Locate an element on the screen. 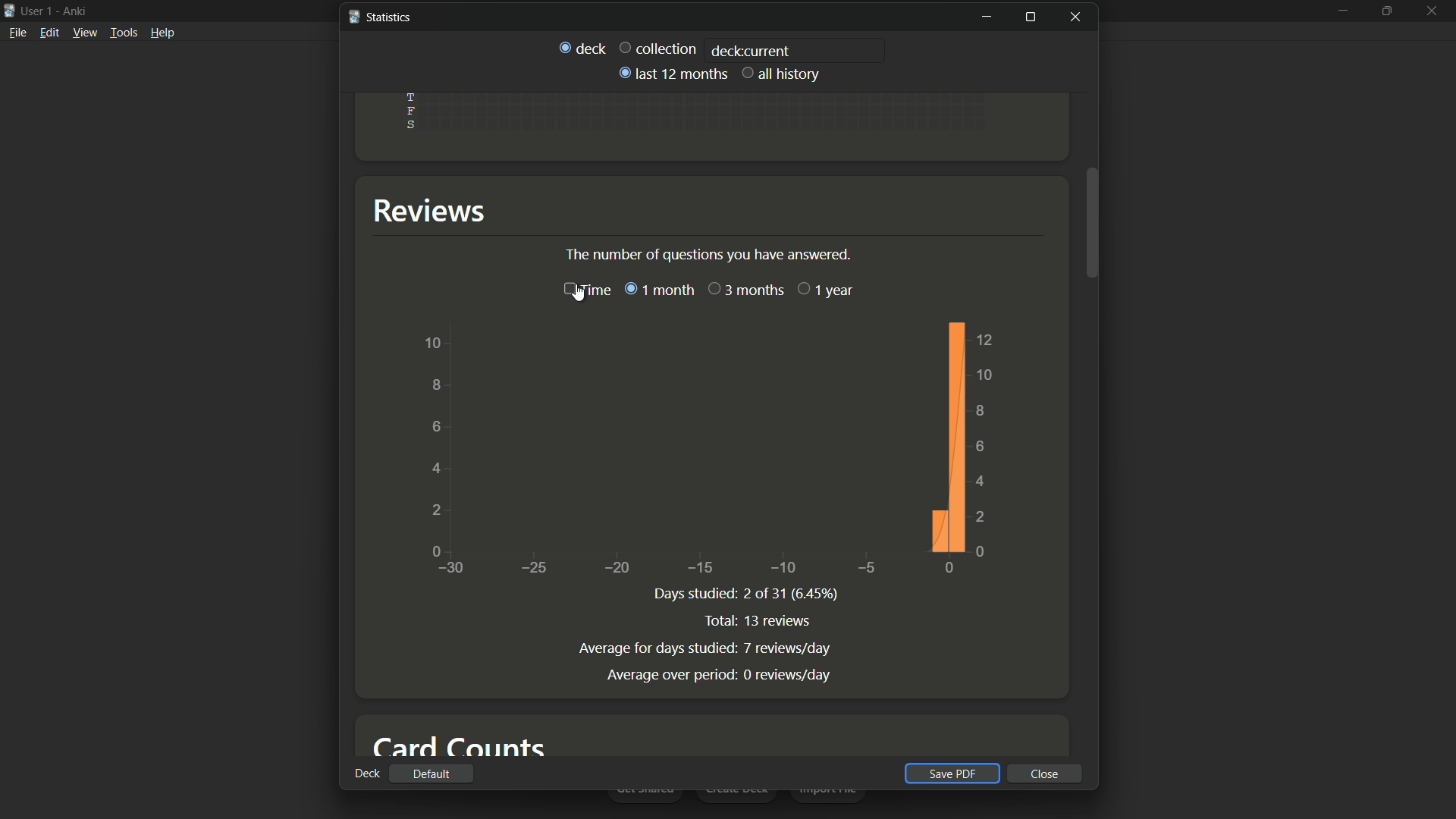 This screenshot has width=1456, height=819. statistics is located at coordinates (379, 16).